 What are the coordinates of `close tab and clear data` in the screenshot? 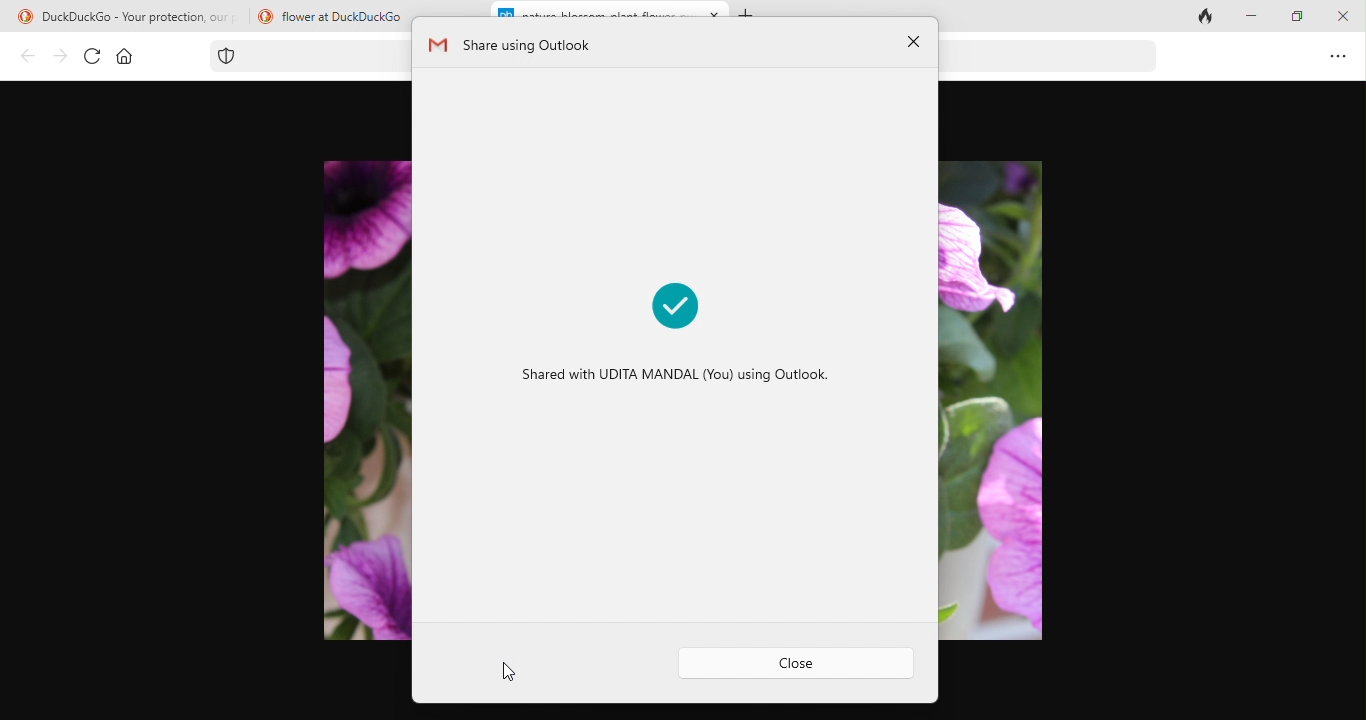 It's located at (1196, 19).